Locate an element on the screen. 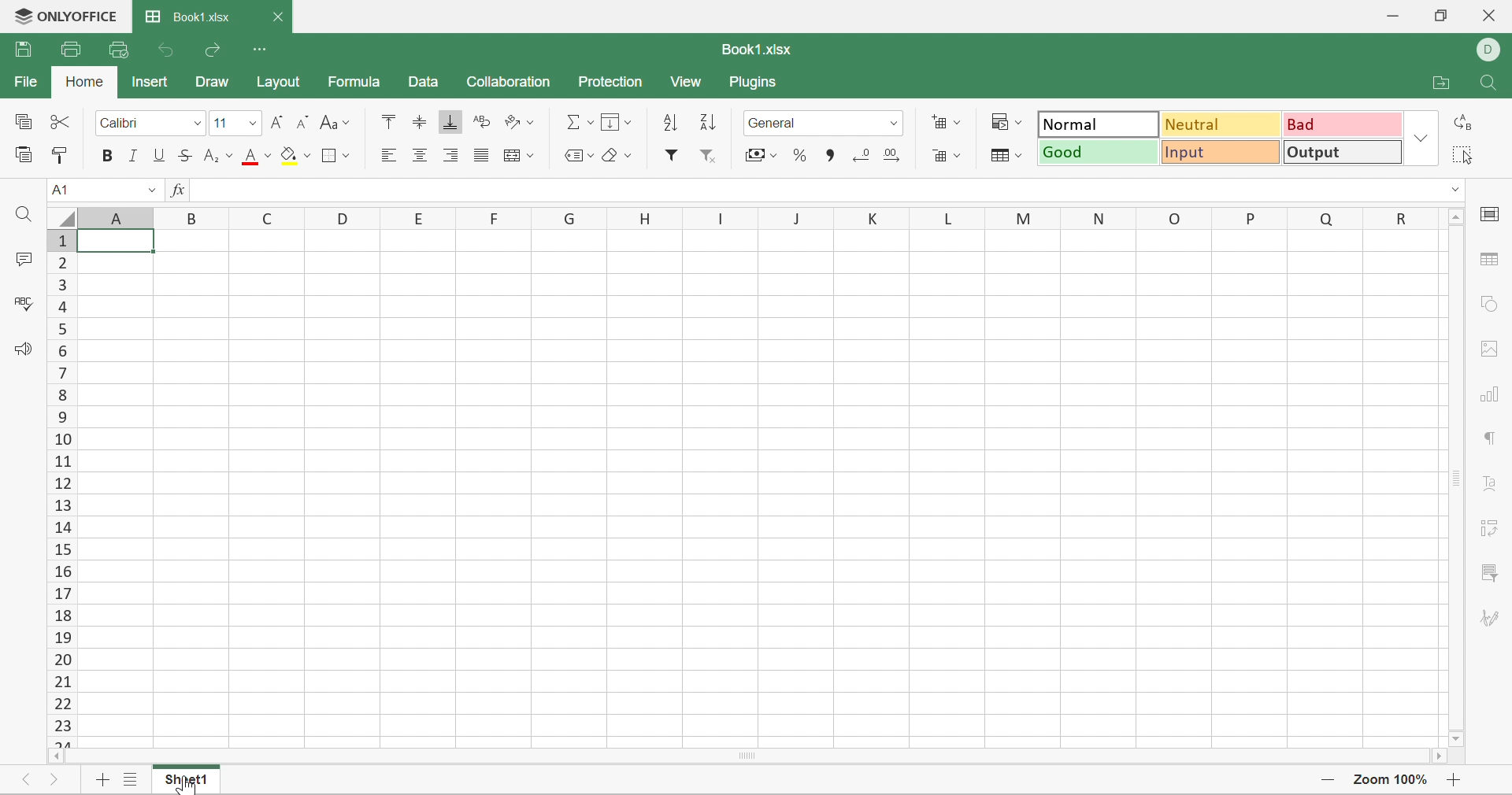  Paragraph settings is located at coordinates (1488, 438).